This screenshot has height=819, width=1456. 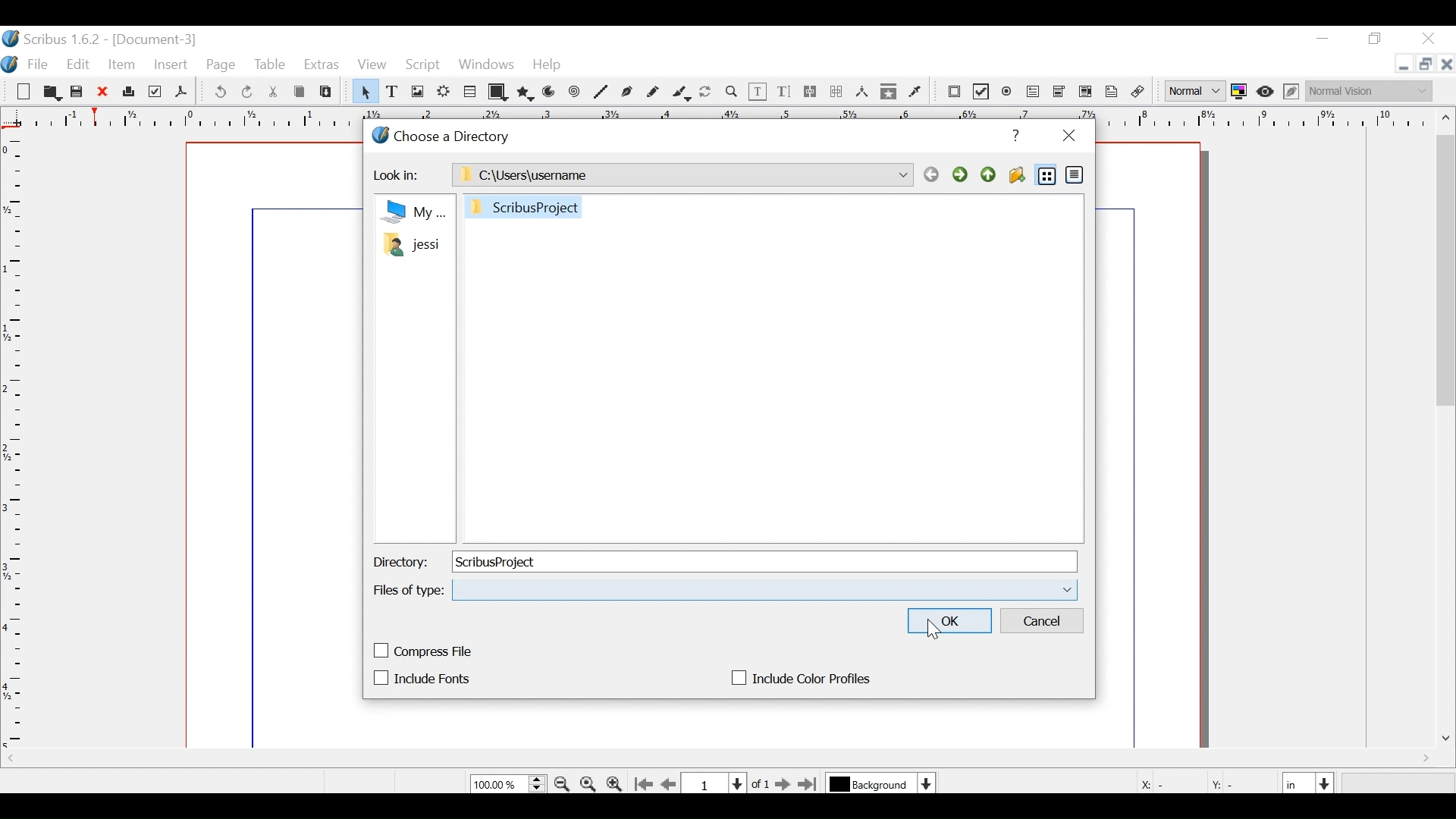 What do you see at coordinates (1375, 39) in the screenshot?
I see `Restore` at bounding box center [1375, 39].